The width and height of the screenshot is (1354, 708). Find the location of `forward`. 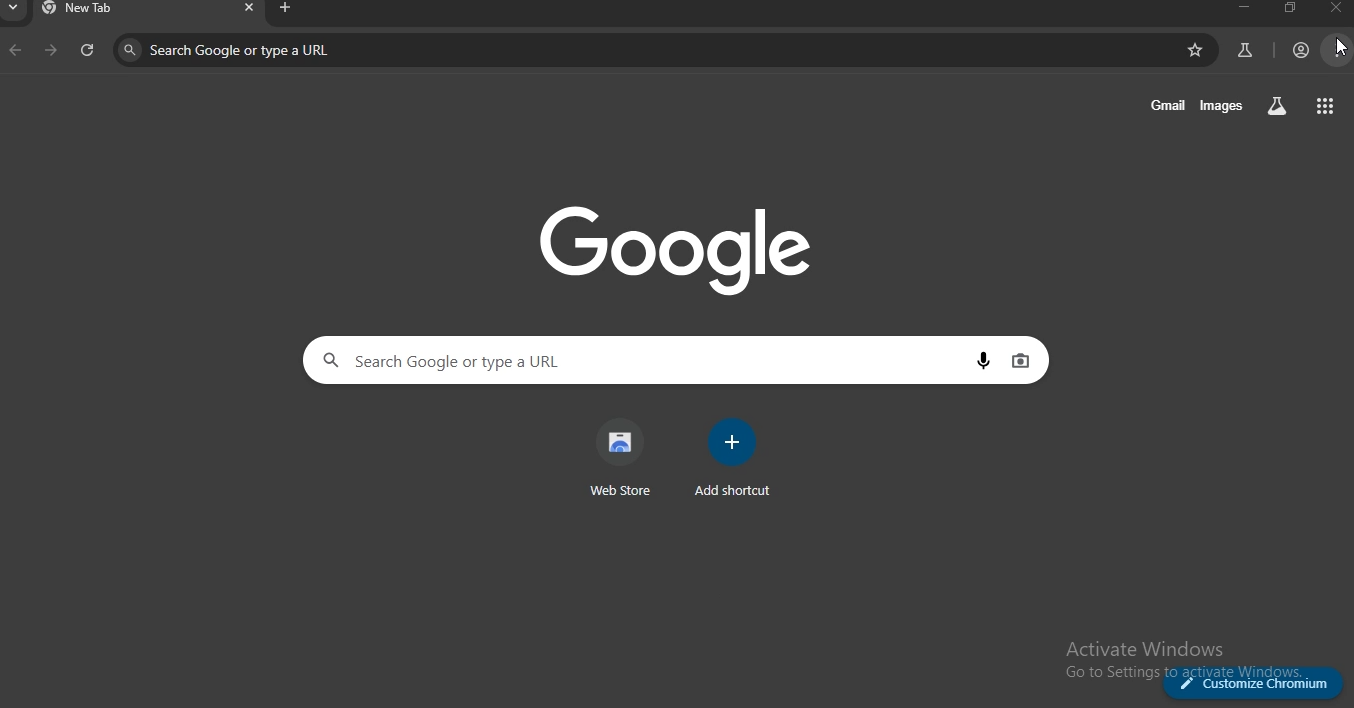

forward is located at coordinates (49, 51).